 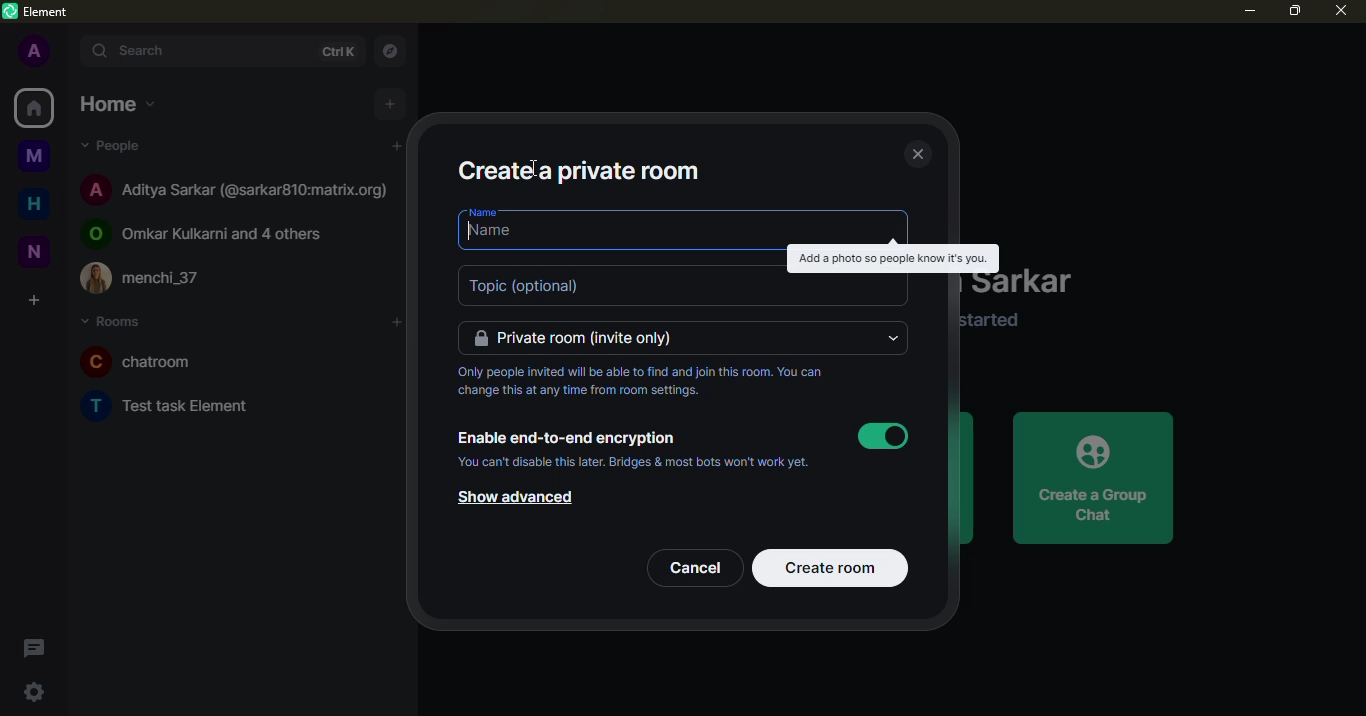 What do you see at coordinates (119, 146) in the screenshot?
I see `people` at bounding box center [119, 146].